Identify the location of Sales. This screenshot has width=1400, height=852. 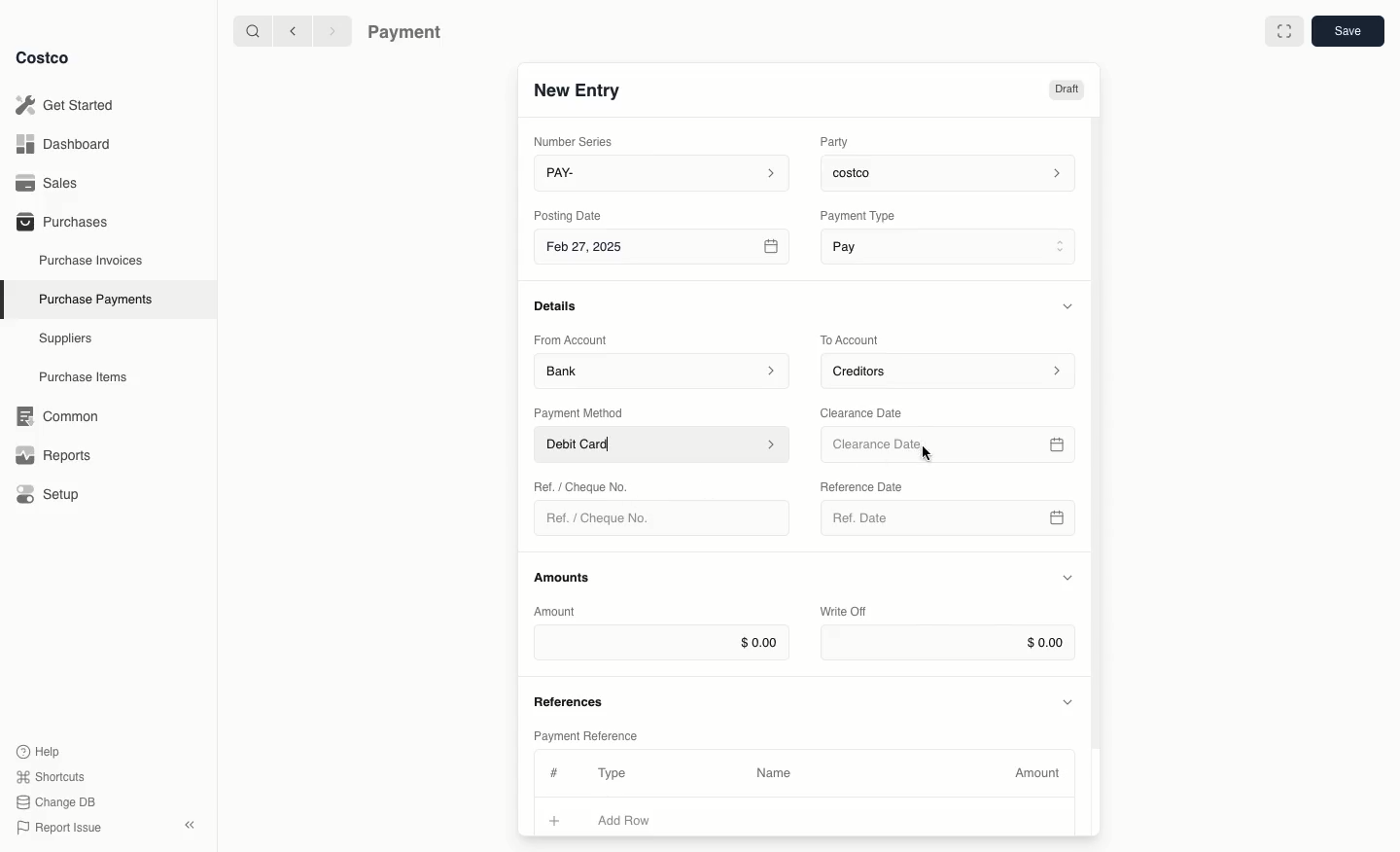
(53, 183).